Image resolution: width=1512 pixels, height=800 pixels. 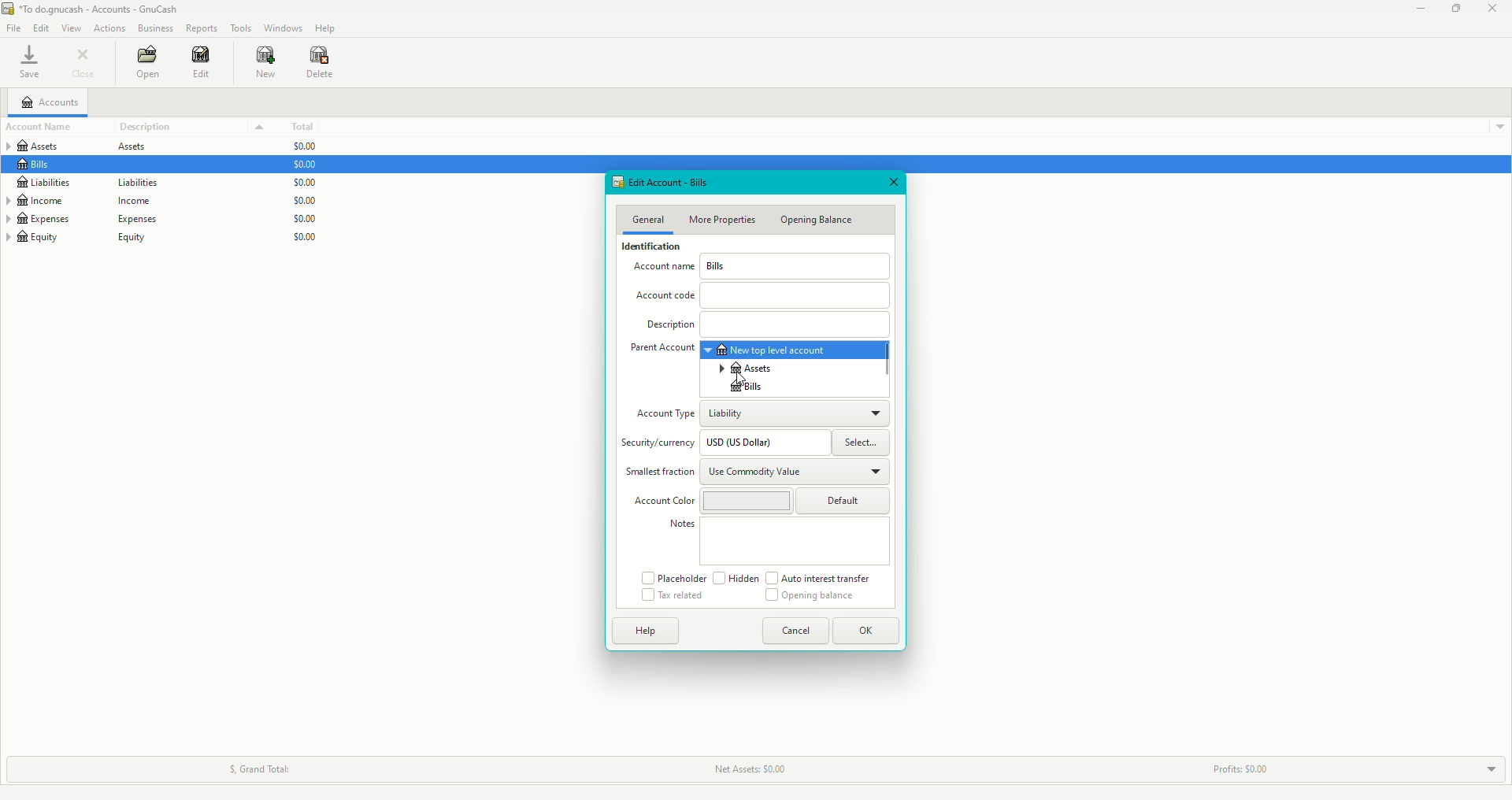 What do you see at coordinates (749, 769) in the screenshot?
I see `Net Assets` at bounding box center [749, 769].